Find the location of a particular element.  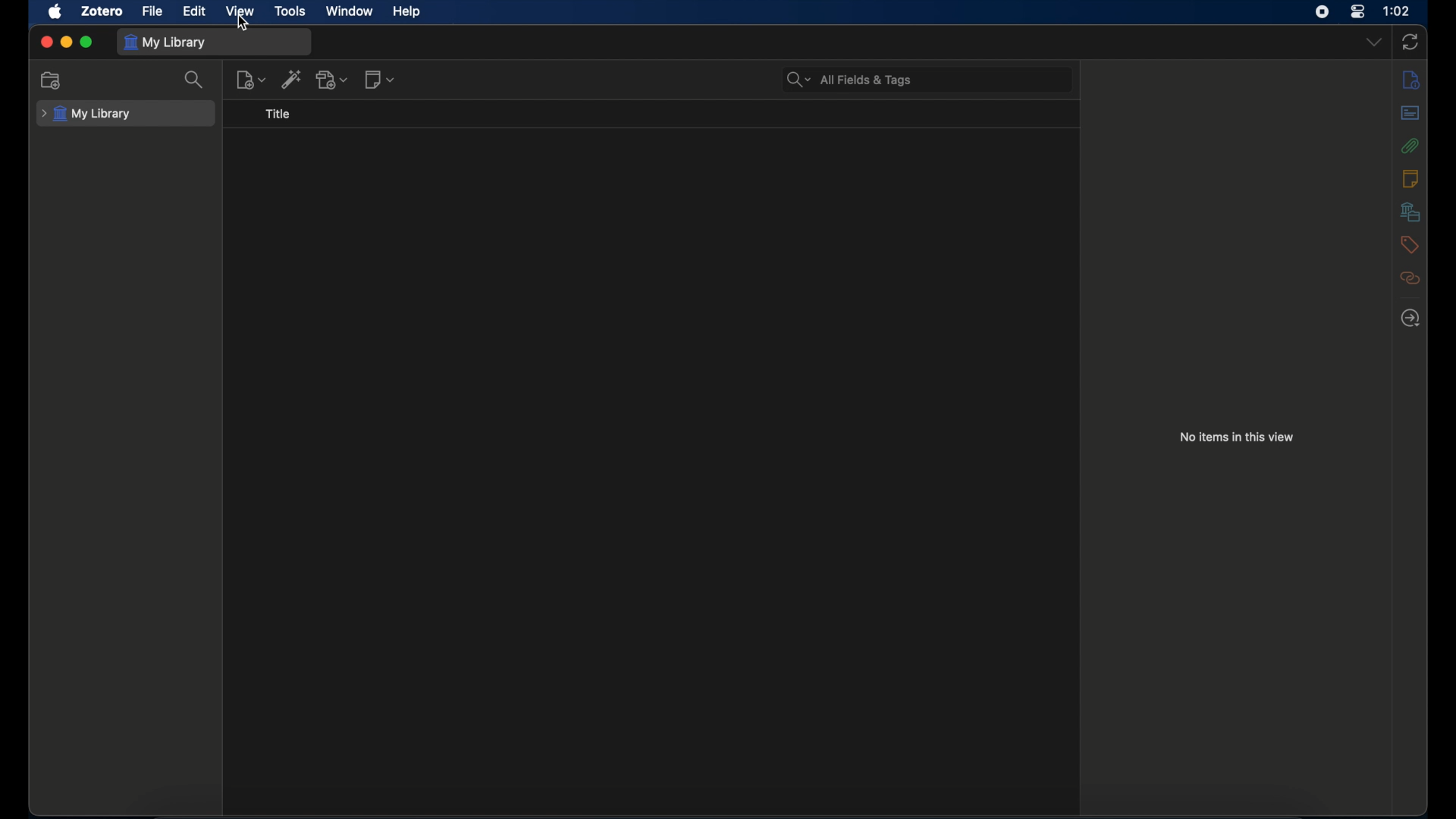

time is located at coordinates (1397, 10).